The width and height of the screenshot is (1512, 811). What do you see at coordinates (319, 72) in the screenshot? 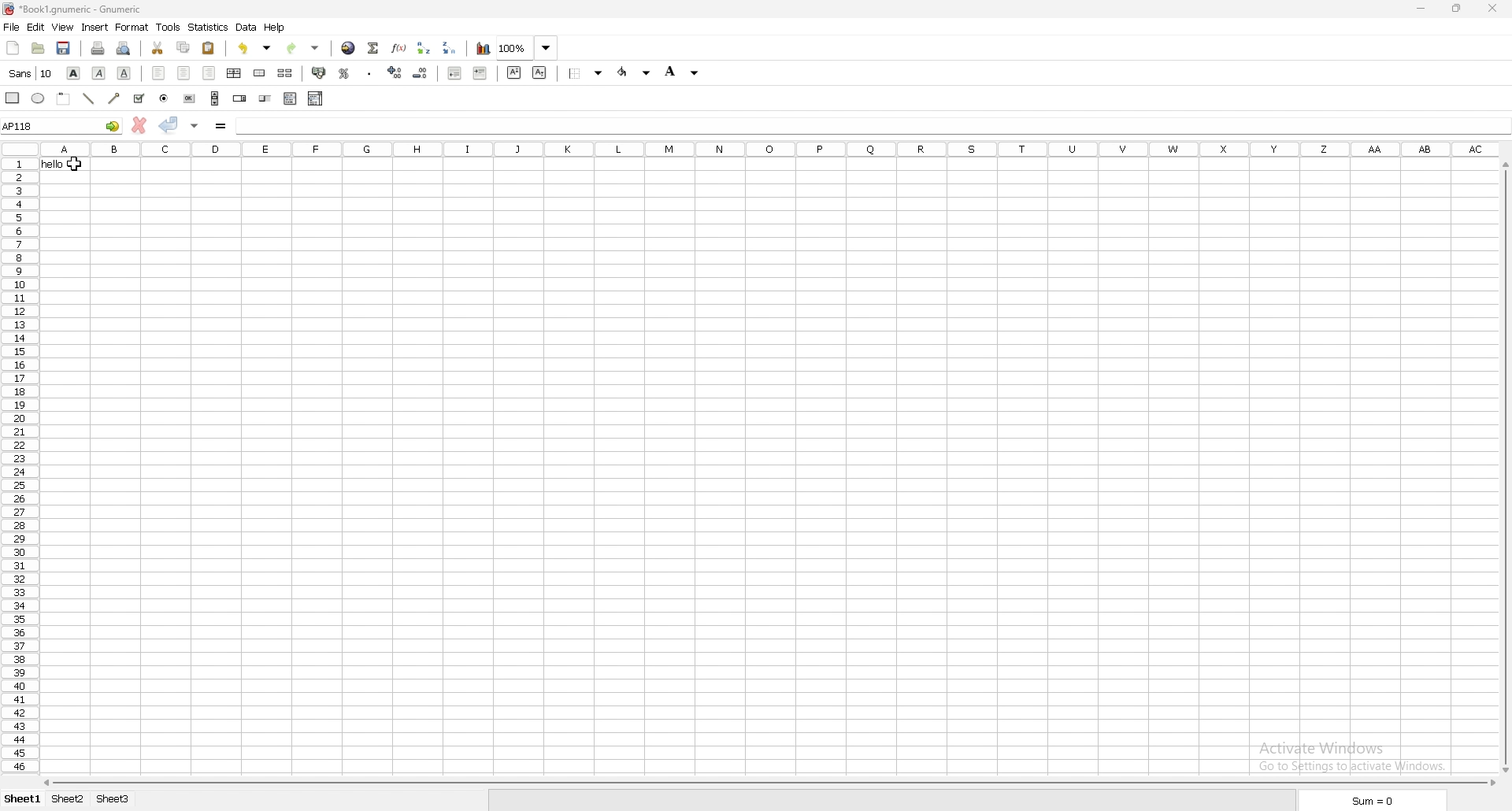
I see `accounting` at bounding box center [319, 72].